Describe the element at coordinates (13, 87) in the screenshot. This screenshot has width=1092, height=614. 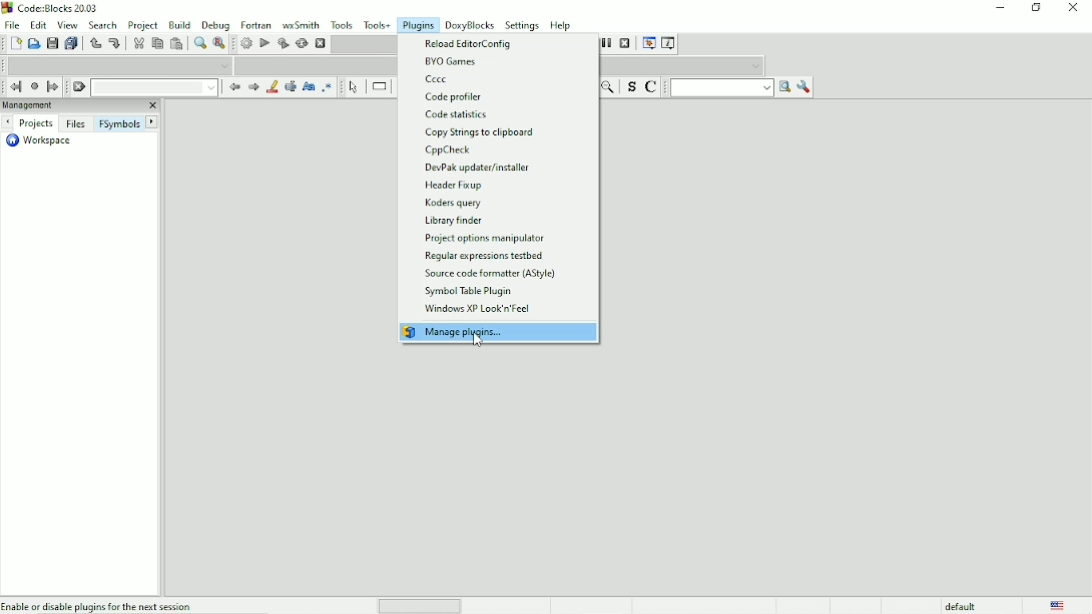
I see `Jump back` at that location.